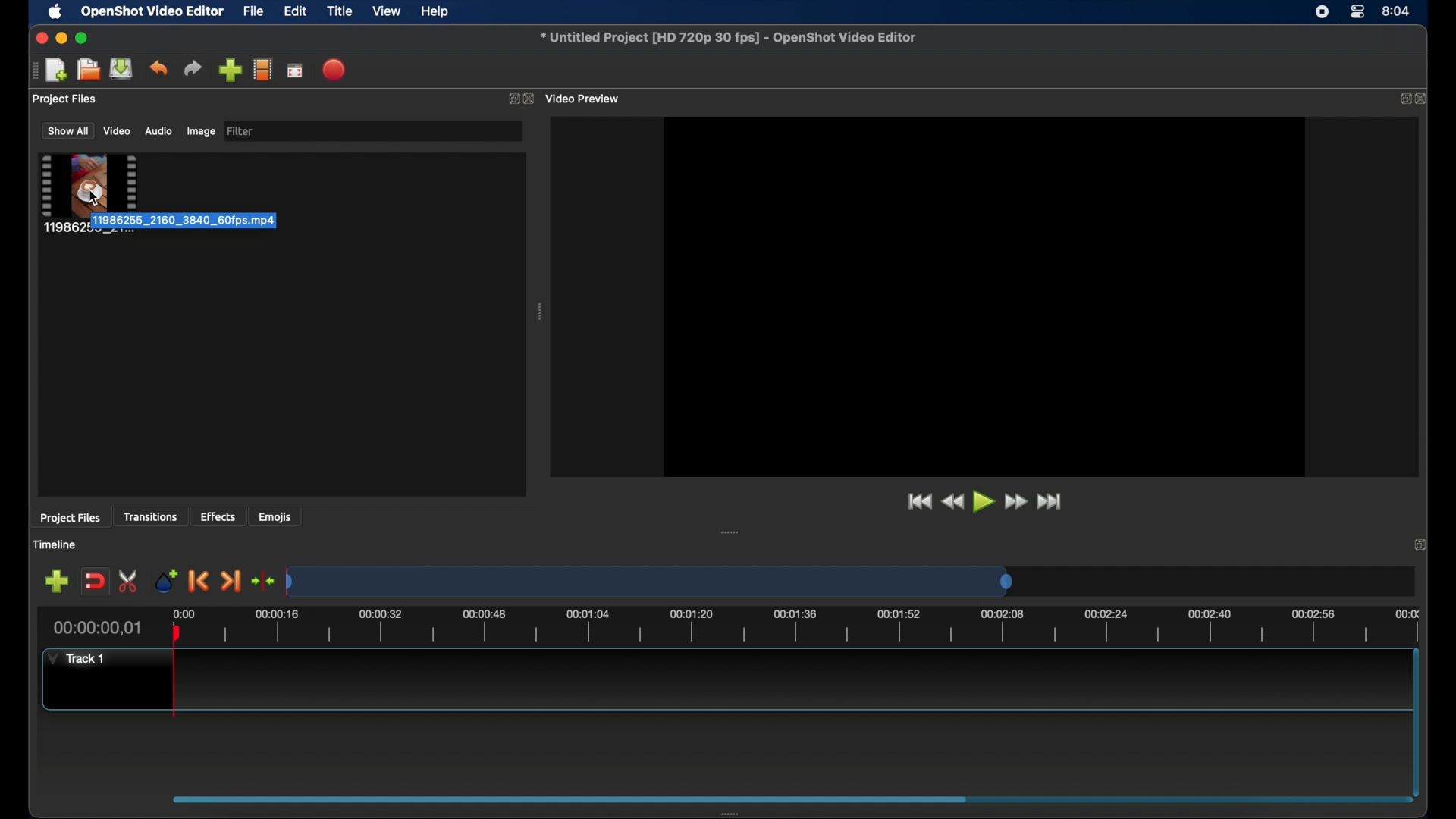 Image resolution: width=1456 pixels, height=819 pixels. What do you see at coordinates (88, 70) in the screenshot?
I see `open project` at bounding box center [88, 70].